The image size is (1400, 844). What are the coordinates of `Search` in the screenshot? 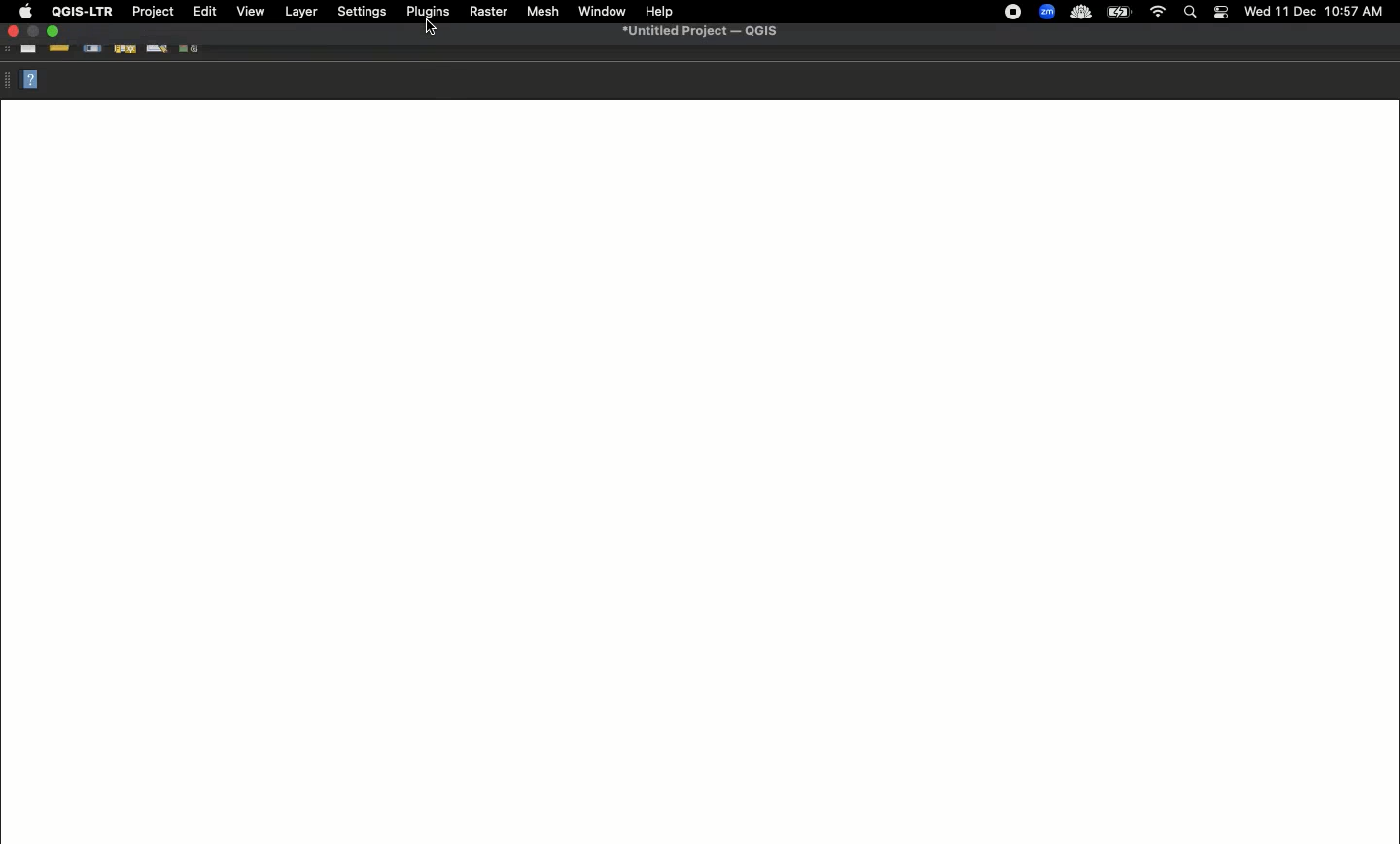 It's located at (1190, 13).